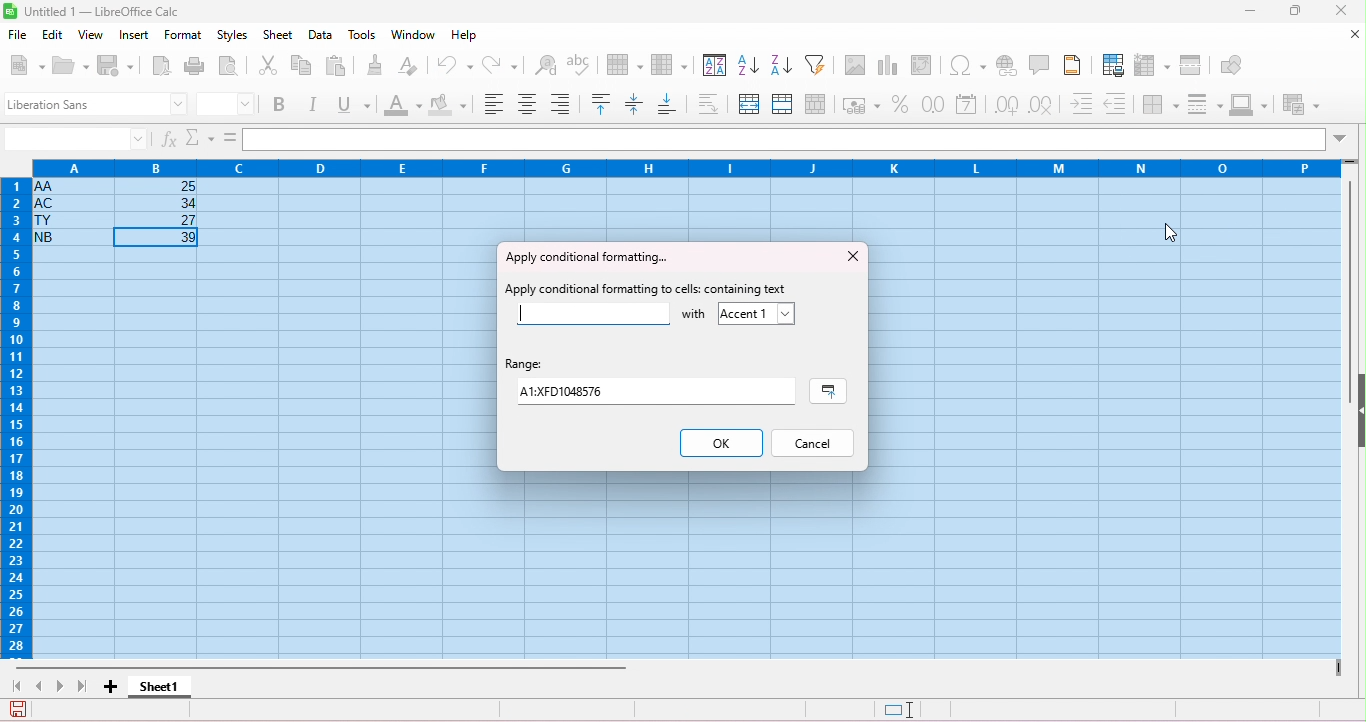  What do you see at coordinates (194, 65) in the screenshot?
I see `print` at bounding box center [194, 65].